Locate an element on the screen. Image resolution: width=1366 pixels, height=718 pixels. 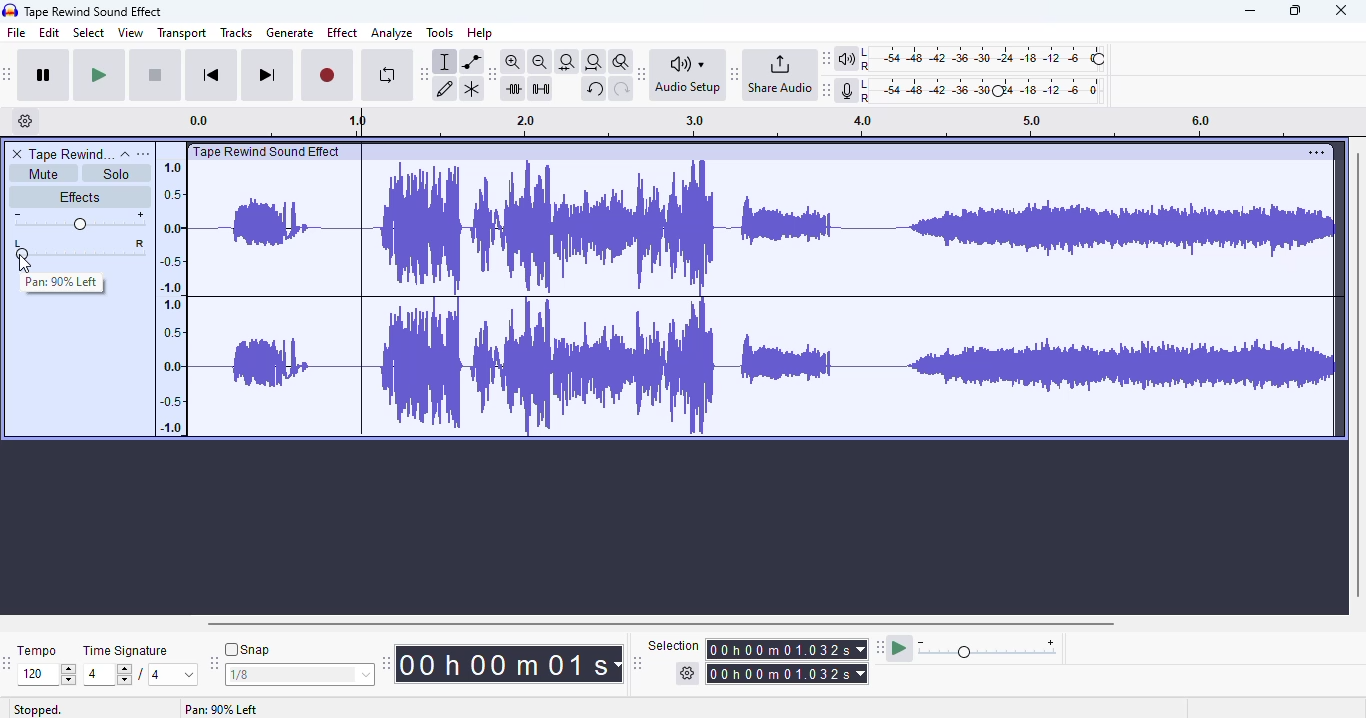
audacity edit toolbar is located at coordinates (490, 75).